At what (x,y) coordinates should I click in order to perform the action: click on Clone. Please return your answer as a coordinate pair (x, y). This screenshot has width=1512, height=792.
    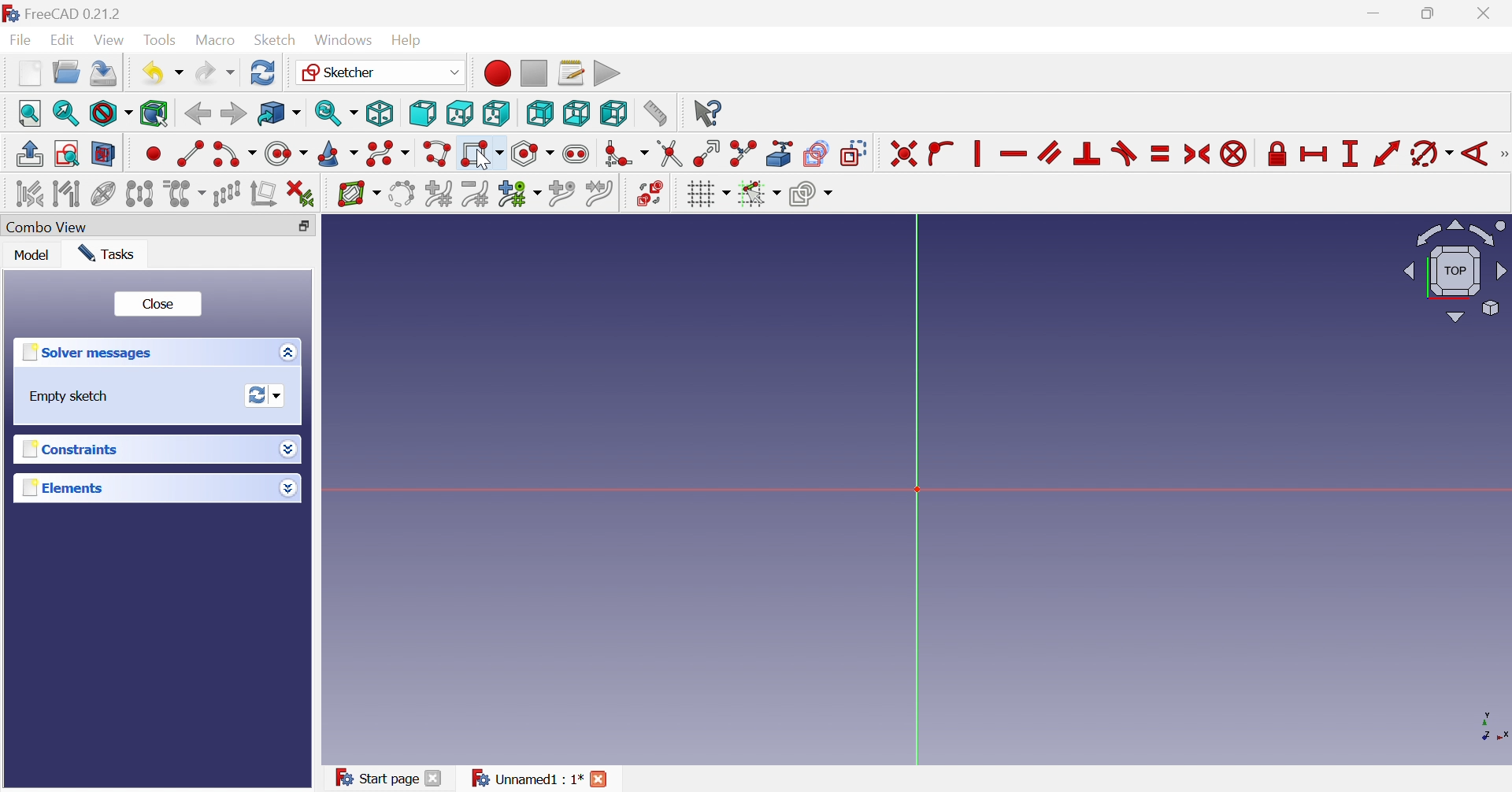
    Looking at the image, I should click on (184, 194).